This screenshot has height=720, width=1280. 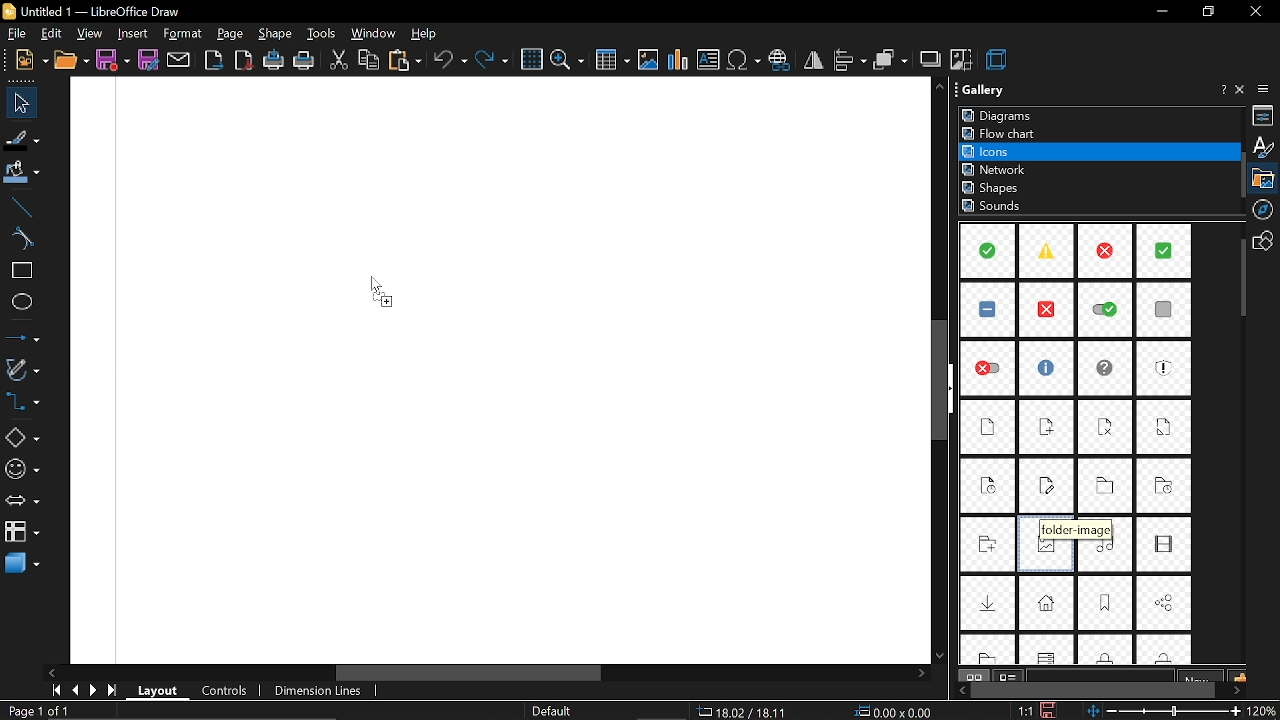 What do you see at coordinates (183, 35) in the screenshot?
I see `format` at bounding box center [183, 35].